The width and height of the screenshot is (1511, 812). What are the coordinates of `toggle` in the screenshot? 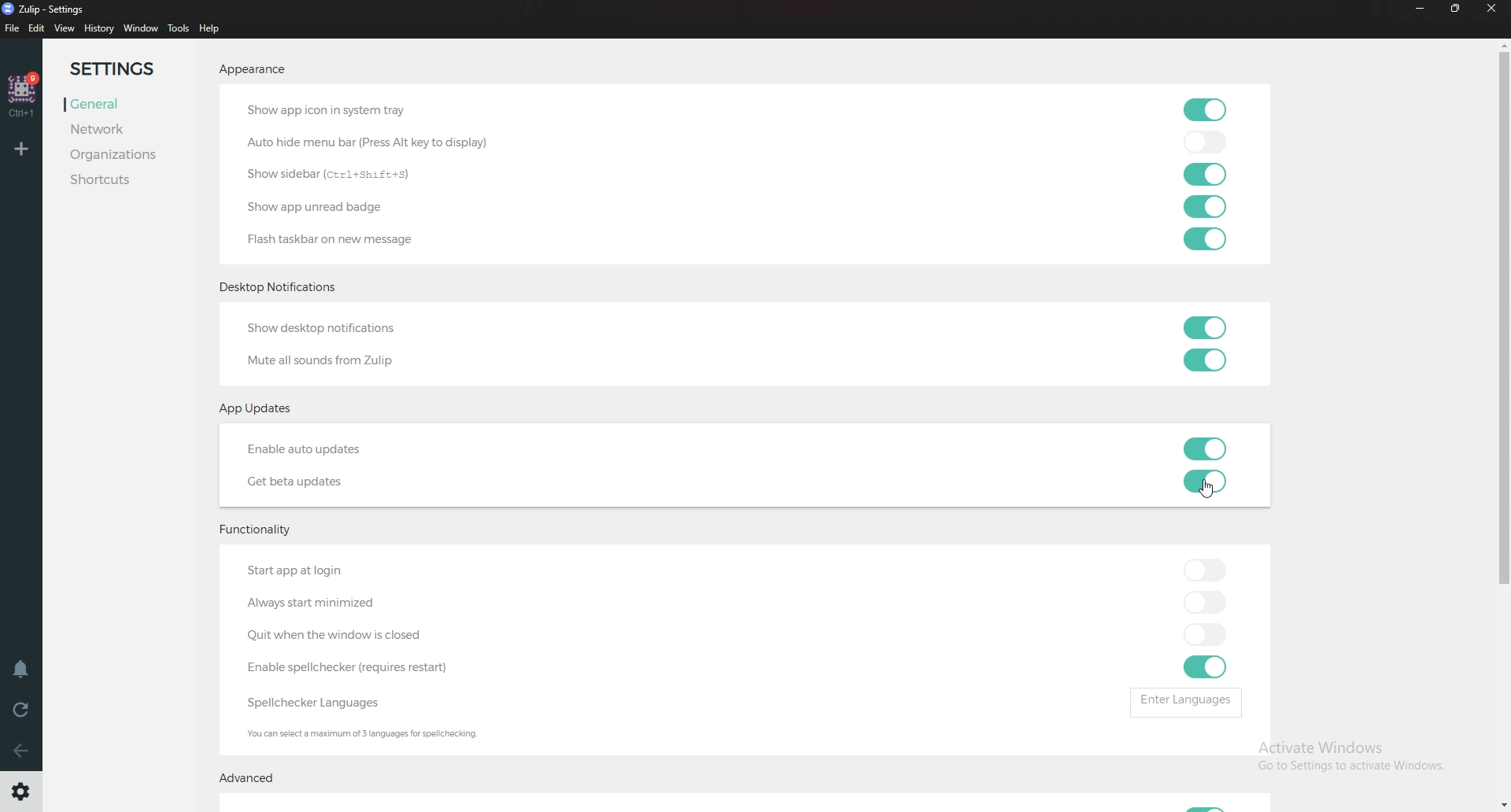 It's located at (1205, 145).